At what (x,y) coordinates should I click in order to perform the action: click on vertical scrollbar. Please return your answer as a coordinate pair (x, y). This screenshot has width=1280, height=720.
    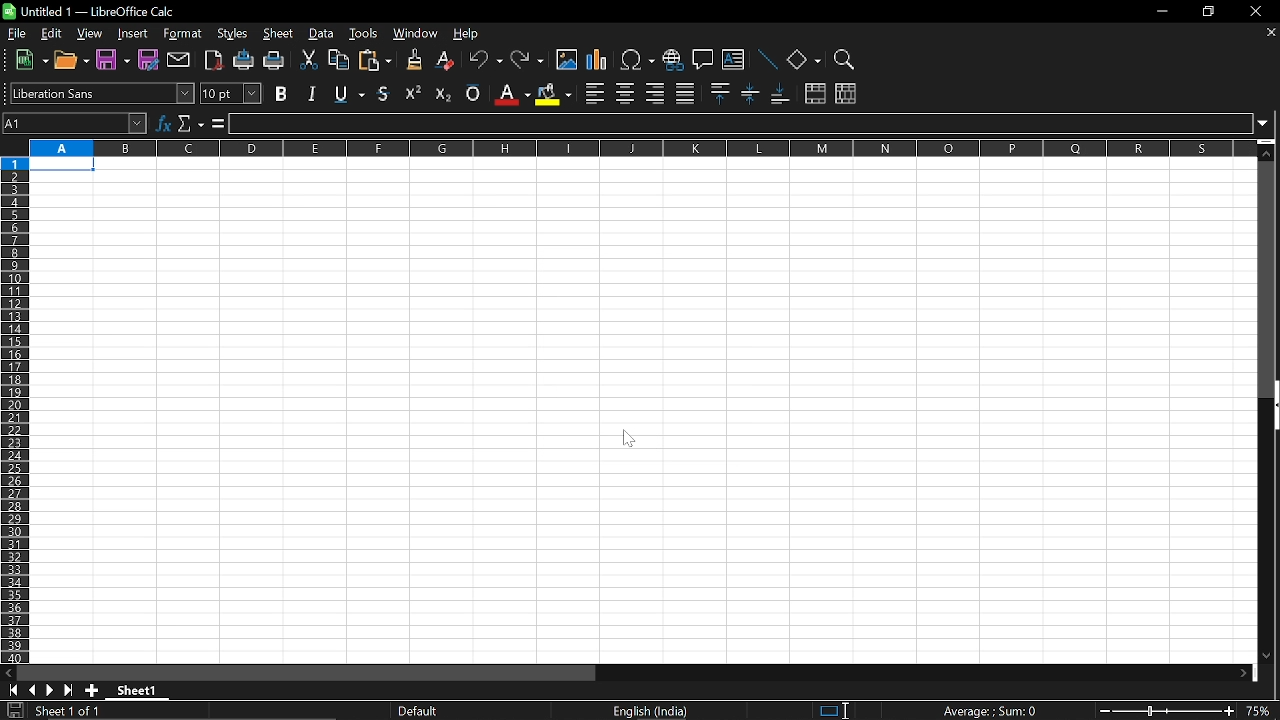
    Looking at the image, I should click on (1272, 407).